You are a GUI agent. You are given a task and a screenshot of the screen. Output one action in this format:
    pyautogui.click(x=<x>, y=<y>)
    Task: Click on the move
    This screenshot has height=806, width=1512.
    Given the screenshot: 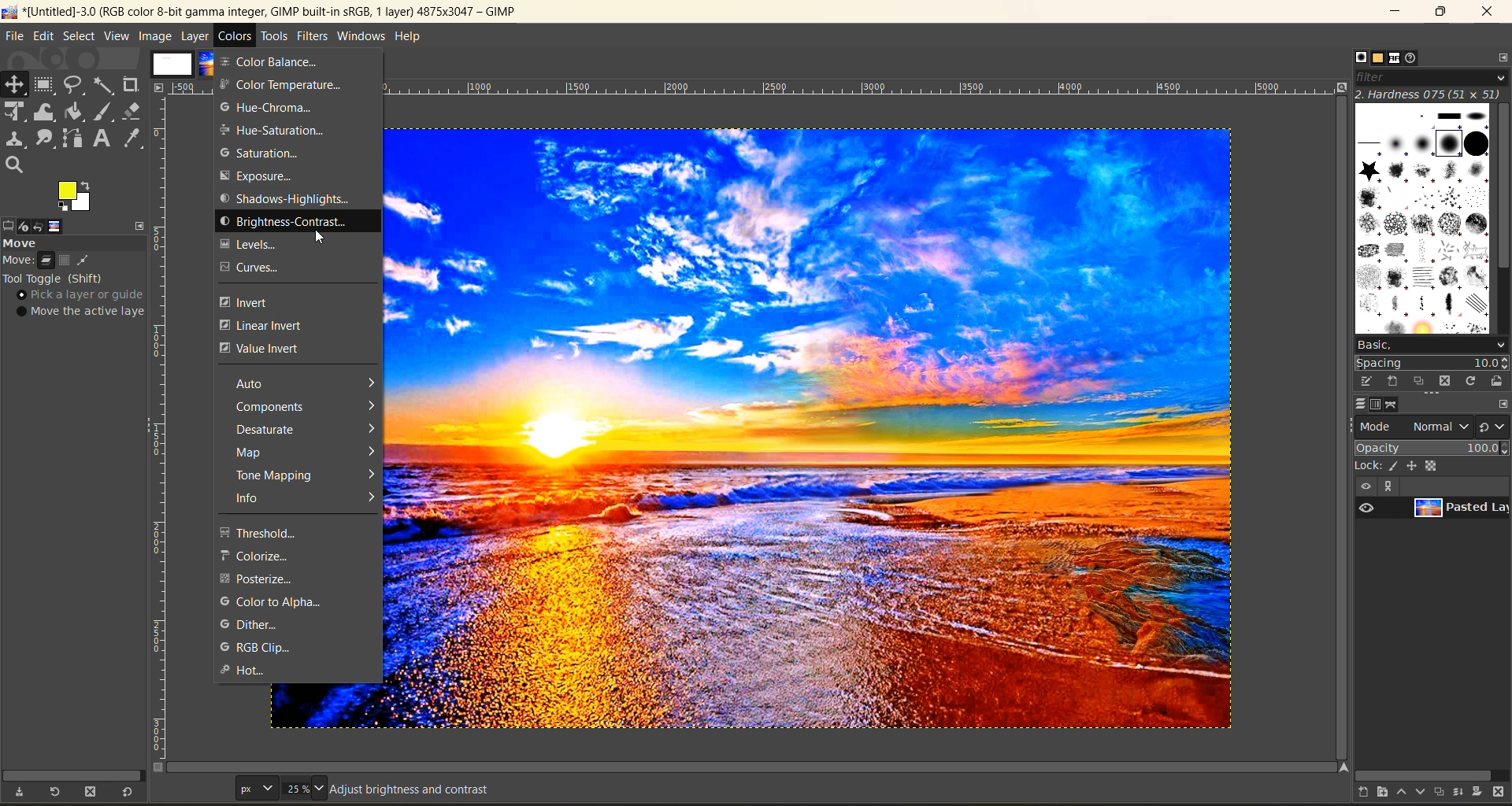 What is the action you would take?
    pyautogui.click(x=32, y=242)
    